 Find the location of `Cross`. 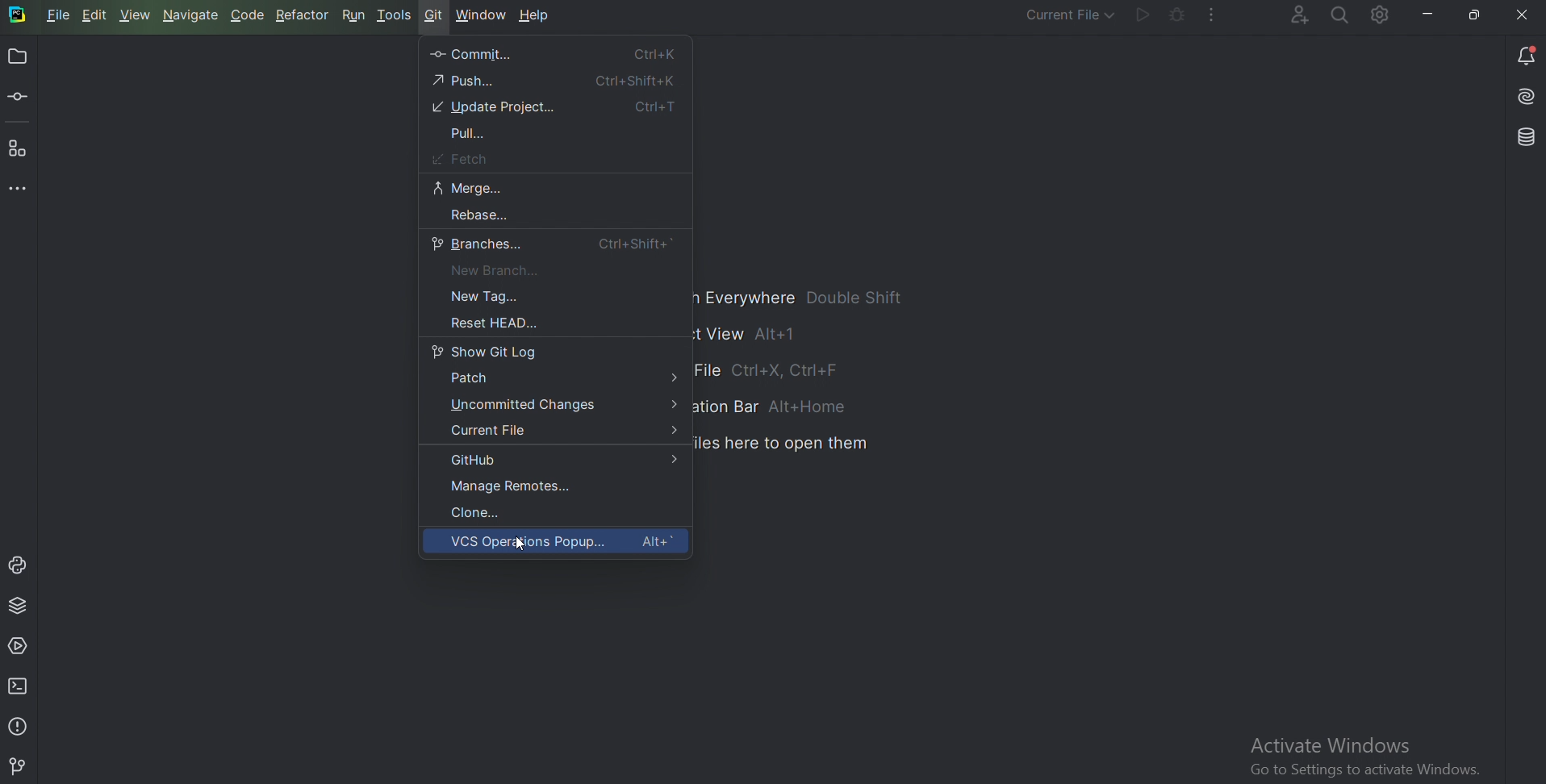

Cross is located at coordinates (1519, 15).